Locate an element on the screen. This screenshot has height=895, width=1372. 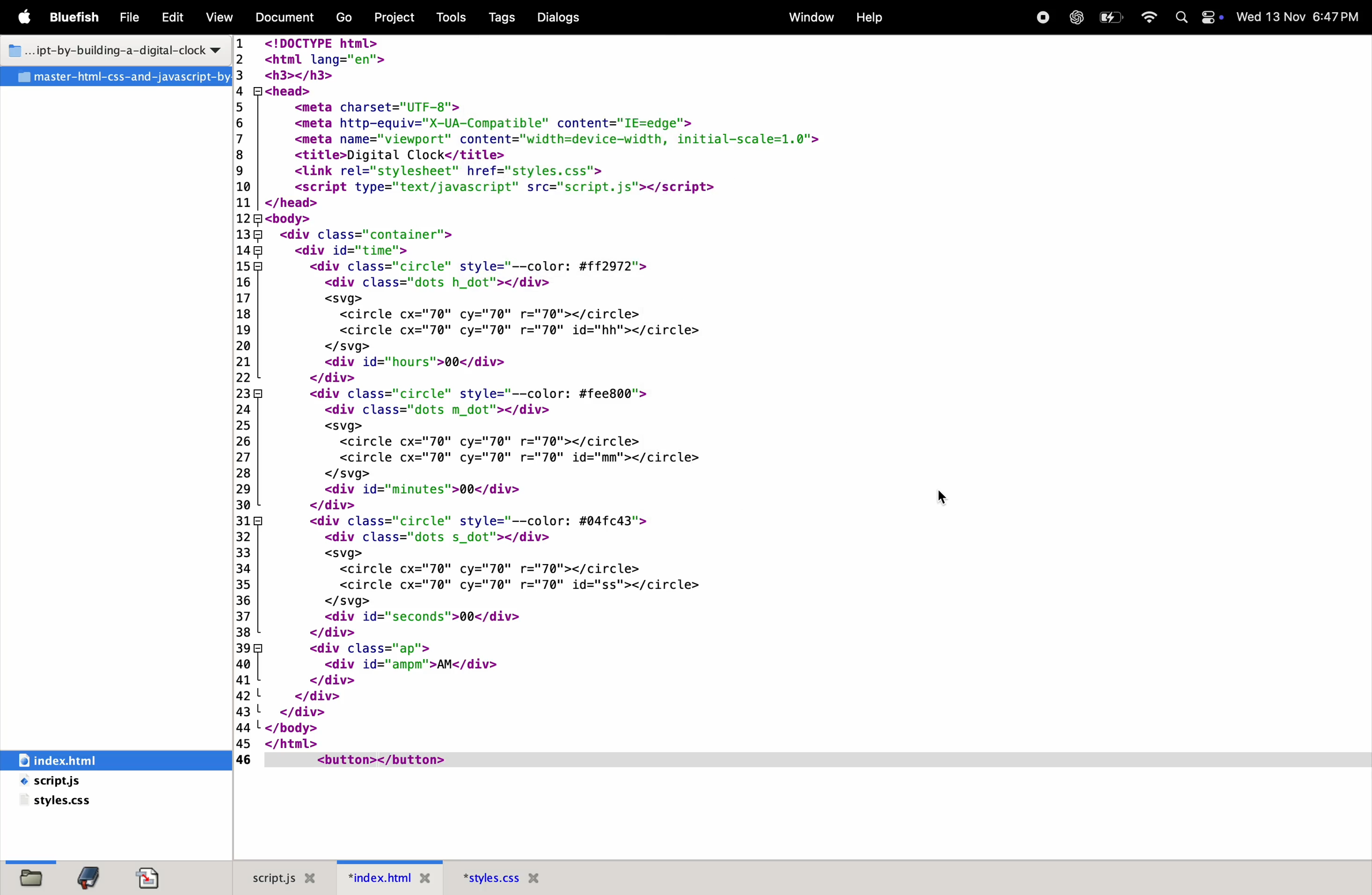
record is located at coordinates (1039, 17).